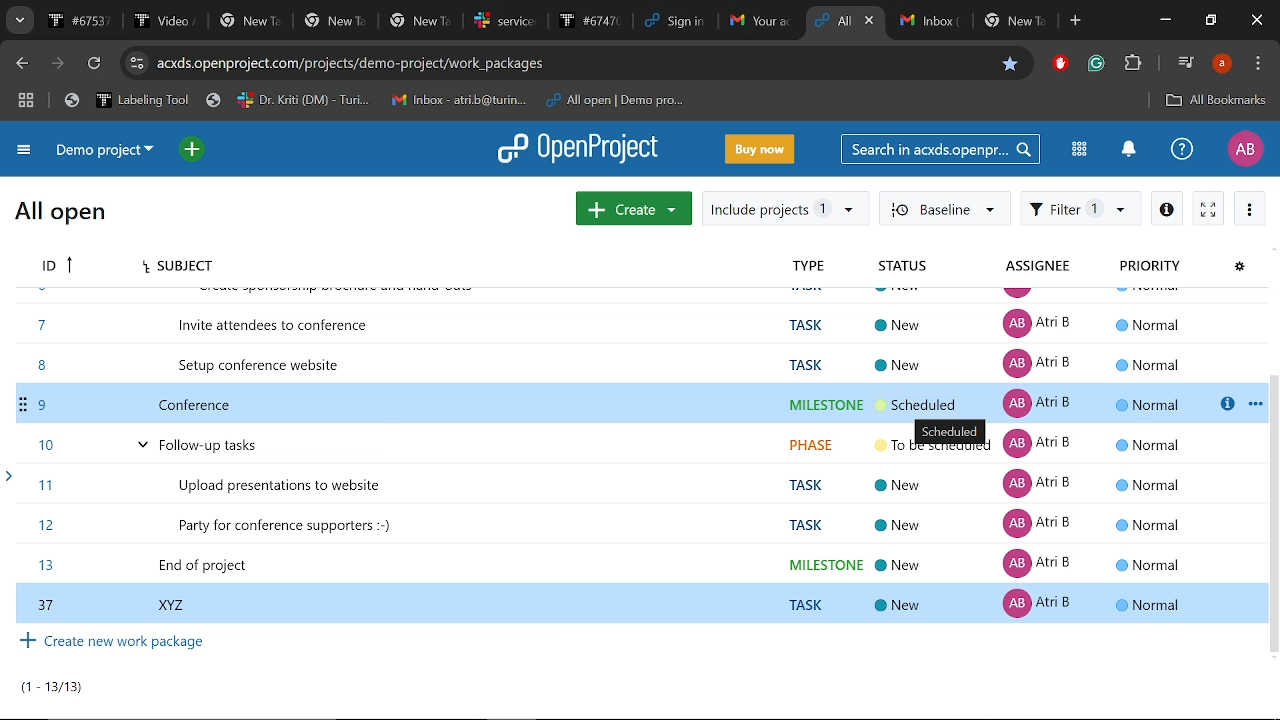 The height and width of the screenshot is (720, 1280). I want to click on Search tabs, so click(18, 20).